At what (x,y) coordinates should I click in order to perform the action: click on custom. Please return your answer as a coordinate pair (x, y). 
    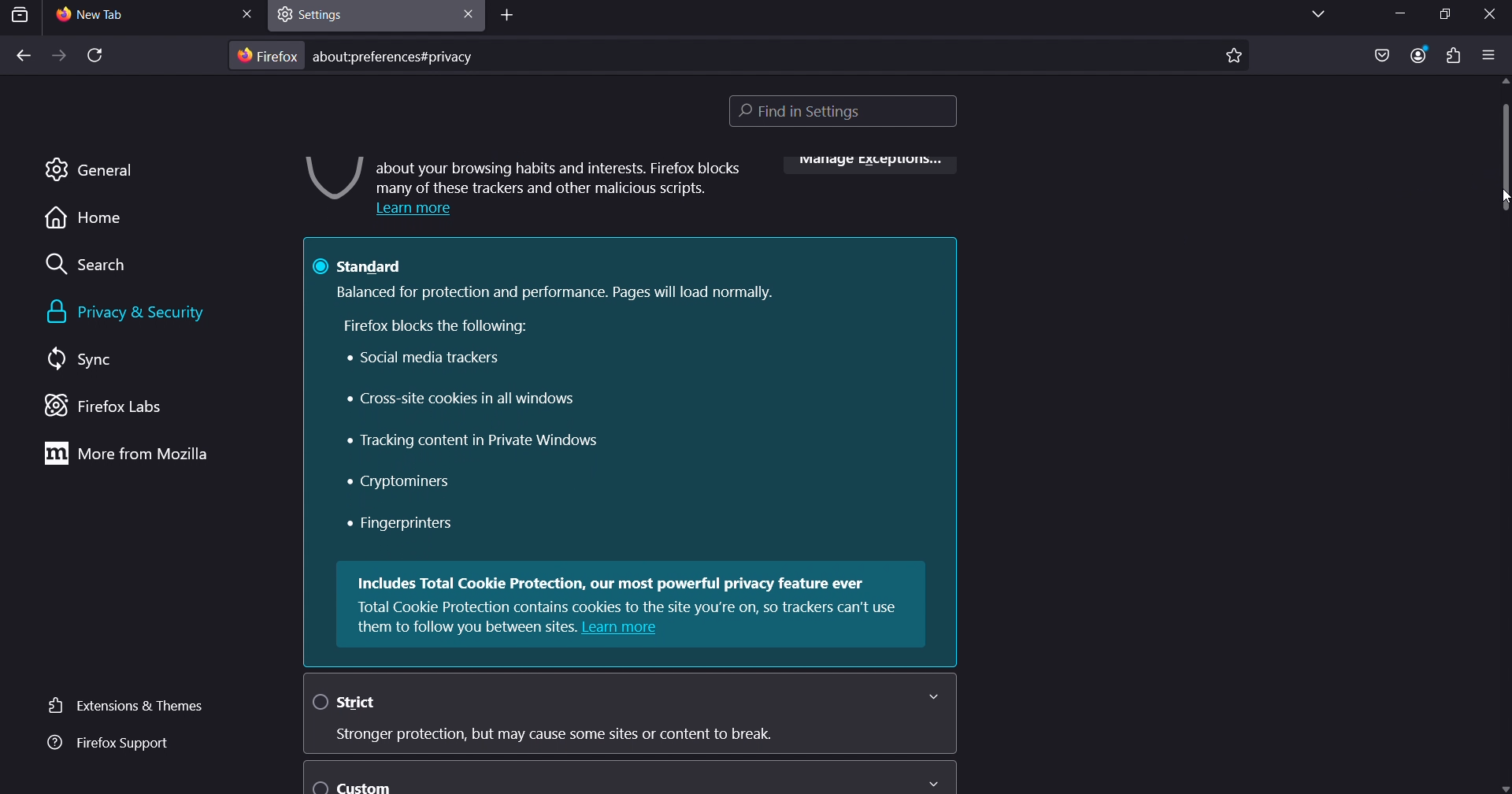
    Looking at the image, I should click on (627, 777).